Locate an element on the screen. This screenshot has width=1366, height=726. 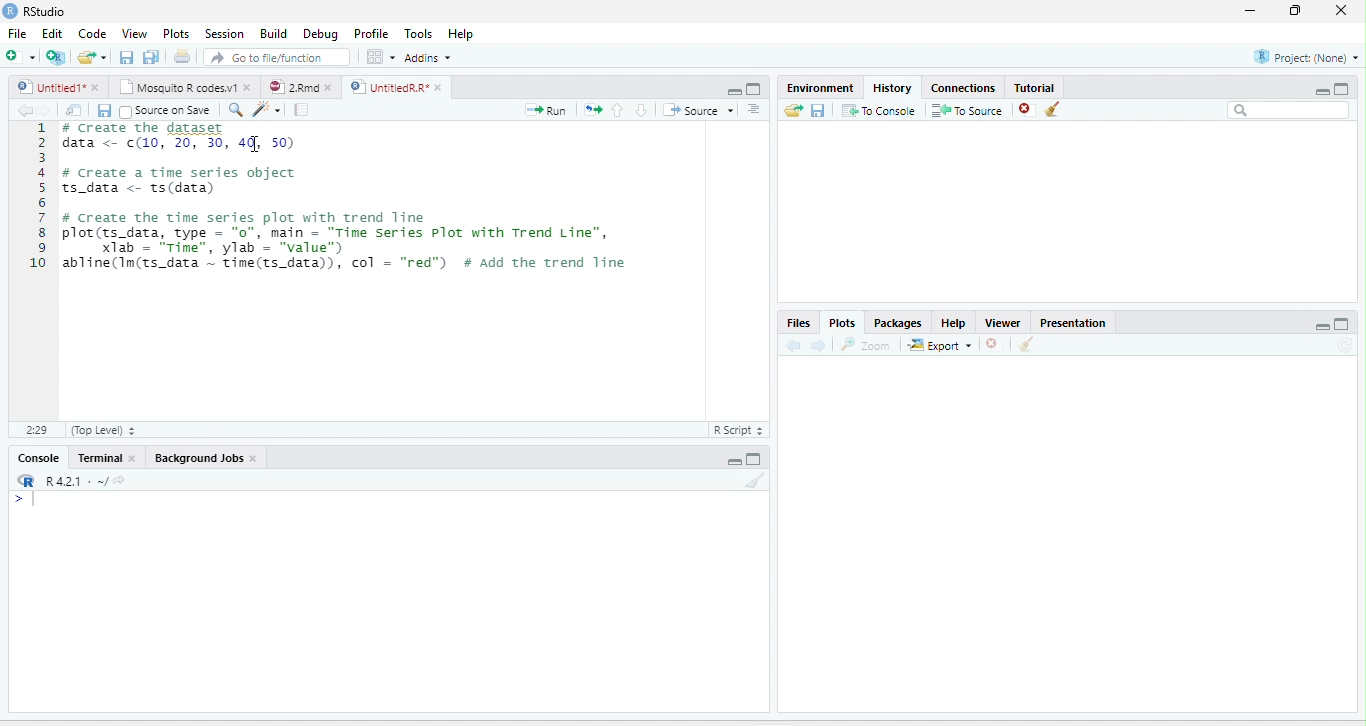
Maximize is located at coordinates (1342, 88).